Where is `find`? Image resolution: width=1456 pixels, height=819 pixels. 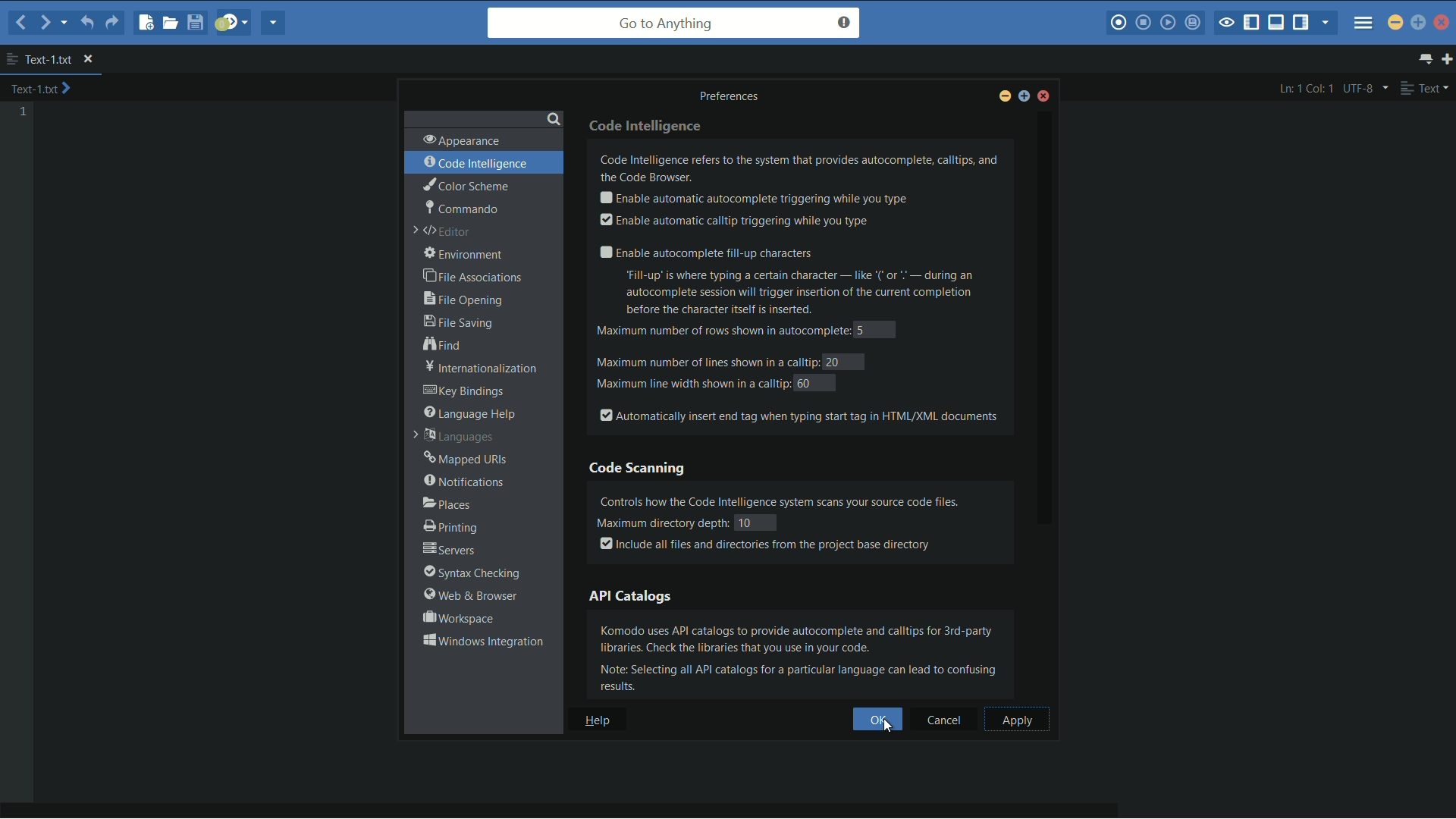
find is located at coordinates (444, 346).